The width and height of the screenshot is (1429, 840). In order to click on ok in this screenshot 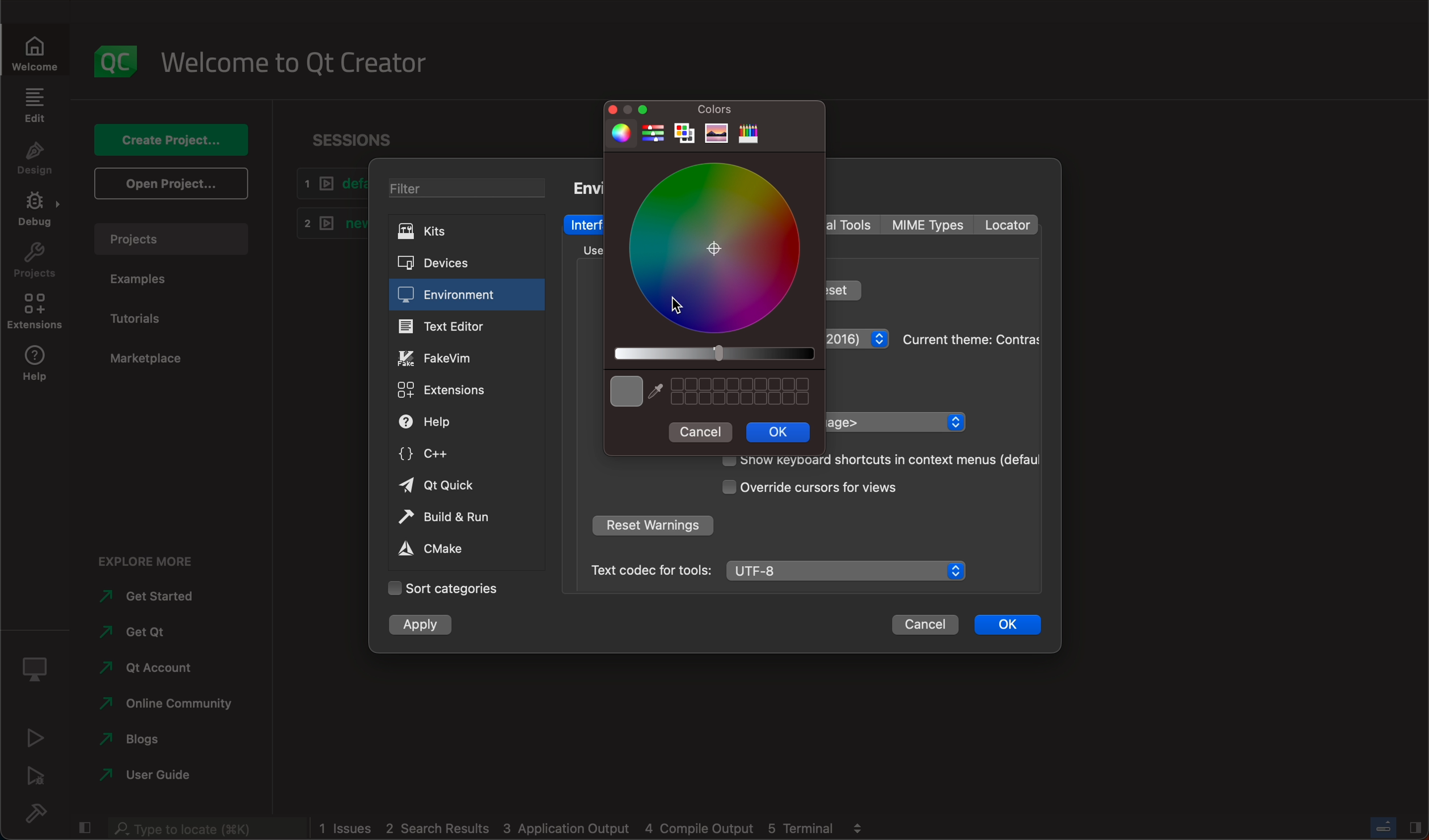, I will do `click(1008, 622)`.